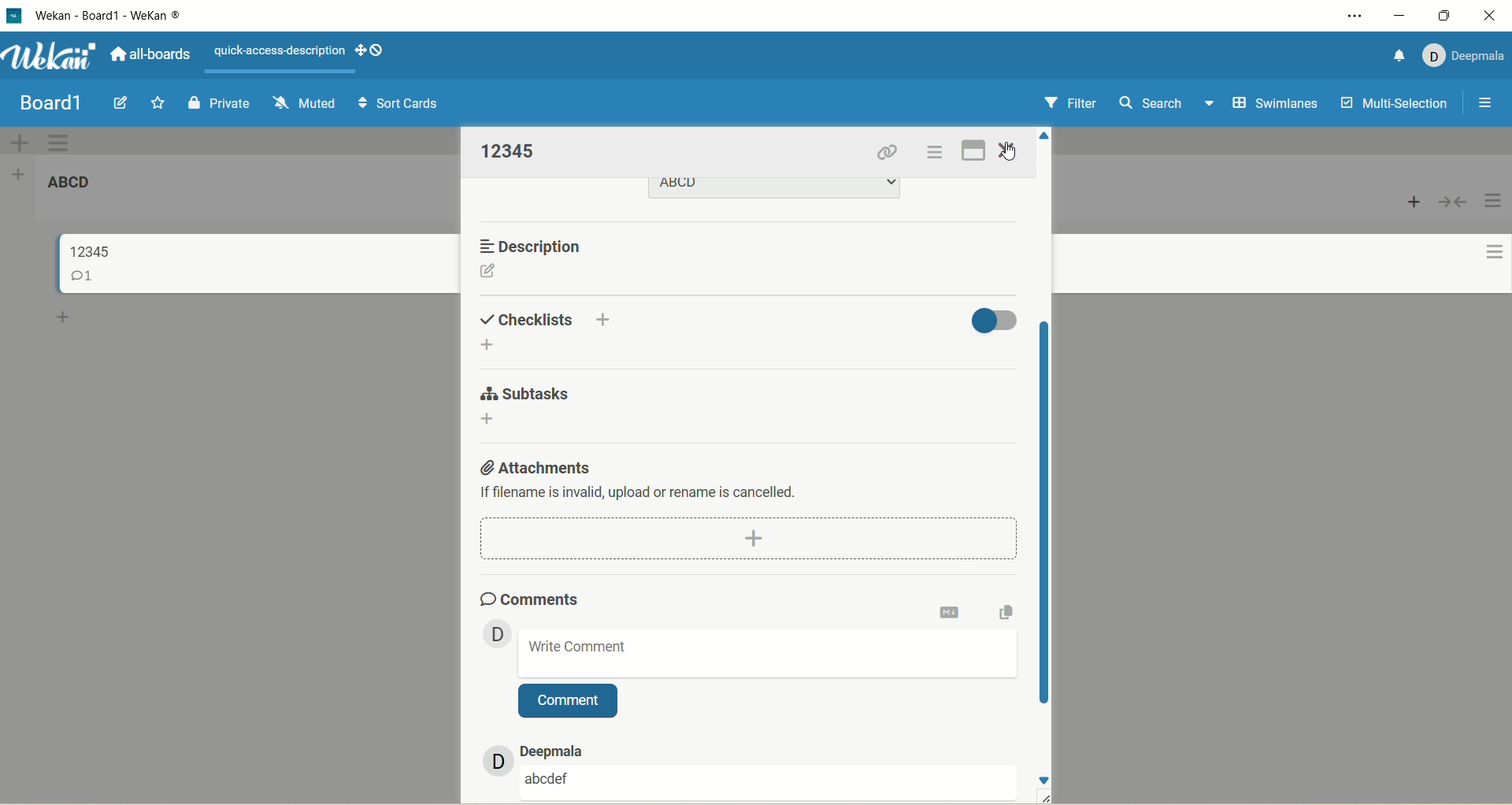  I want to click on text, so click(641, 494).